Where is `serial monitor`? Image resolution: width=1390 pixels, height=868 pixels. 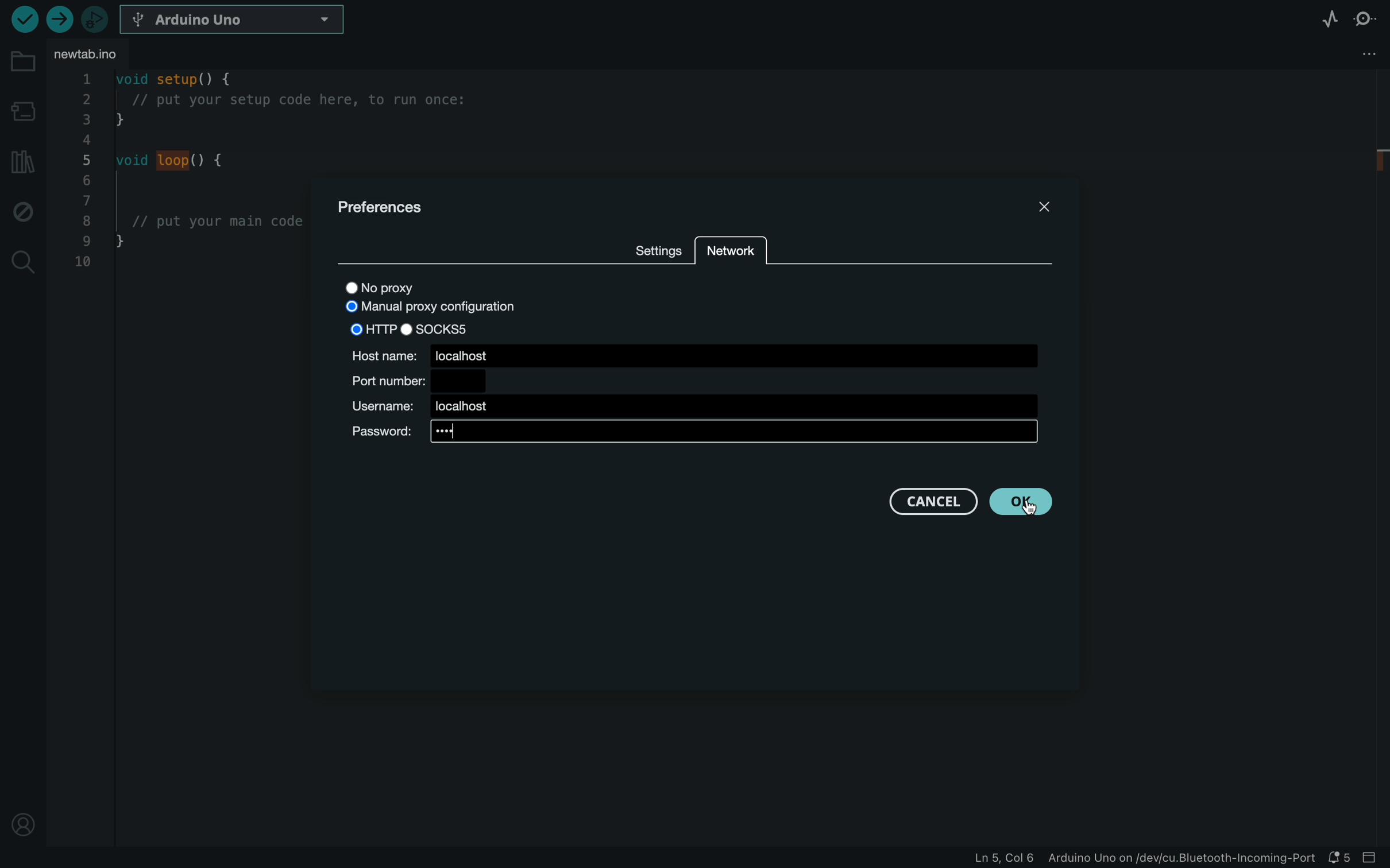 serial monitor is located at coordinates (1365, 18).